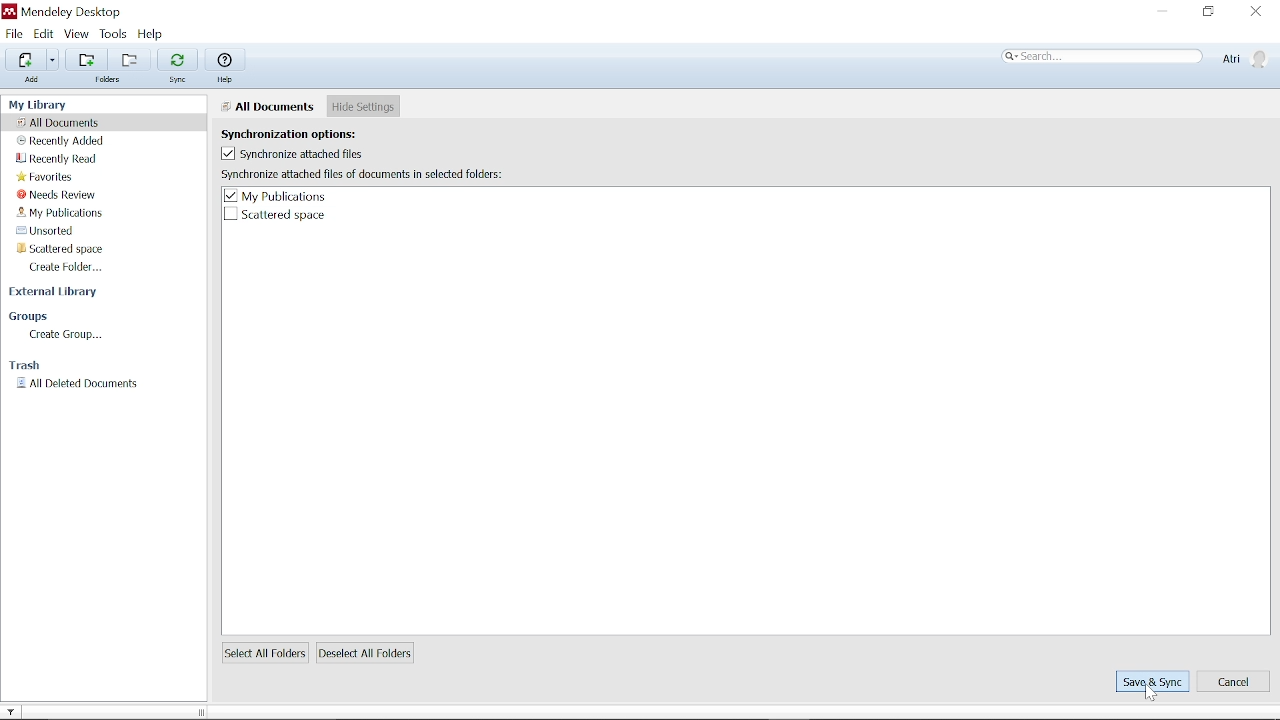 Image resolution: width=1280 pixels, height=720 pixels. I want to click on Recently added , so click(68, 141).